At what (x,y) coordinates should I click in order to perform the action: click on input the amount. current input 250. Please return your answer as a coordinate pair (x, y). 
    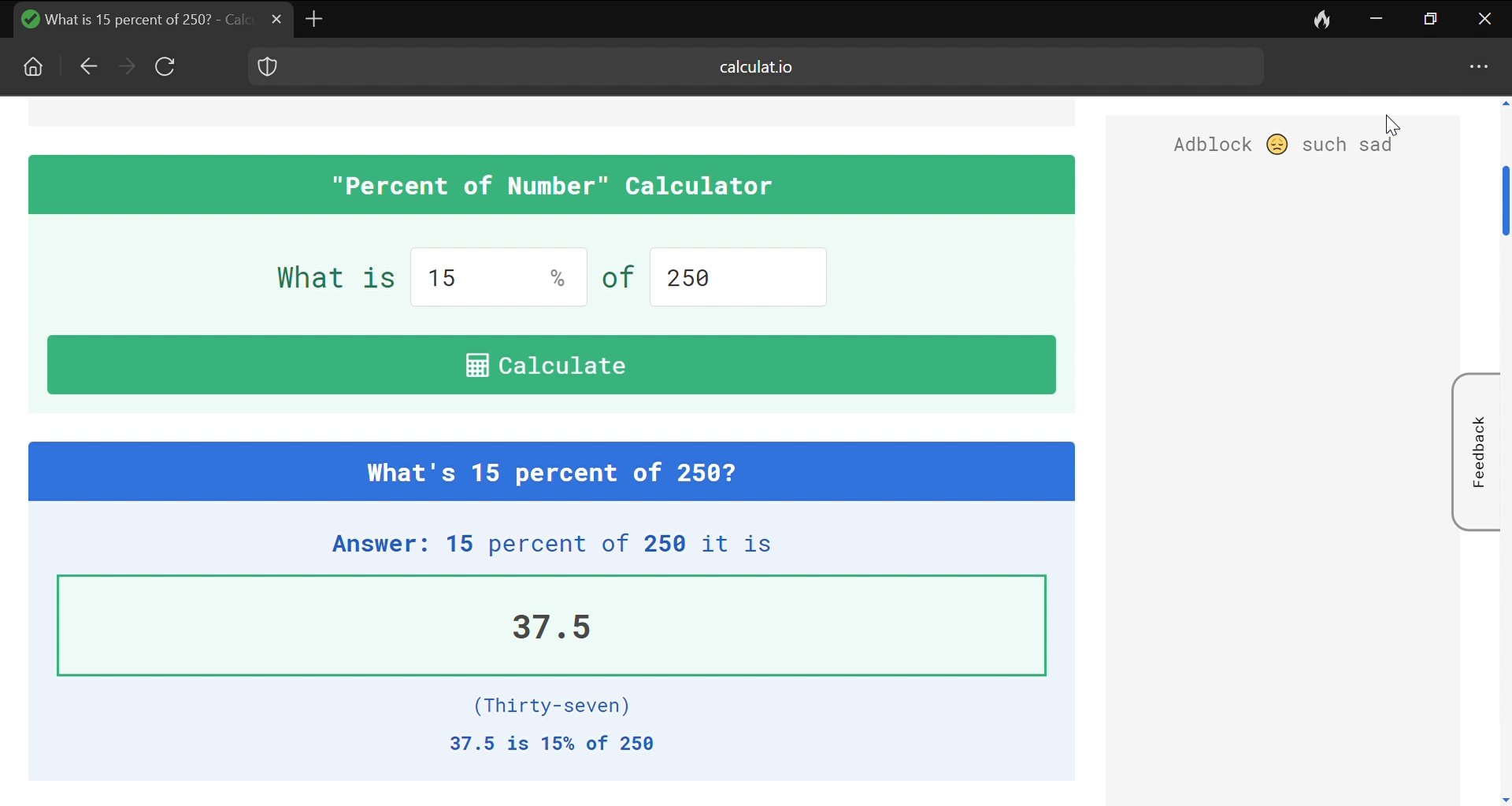
    Looking at the image, I should click on (737, 278).